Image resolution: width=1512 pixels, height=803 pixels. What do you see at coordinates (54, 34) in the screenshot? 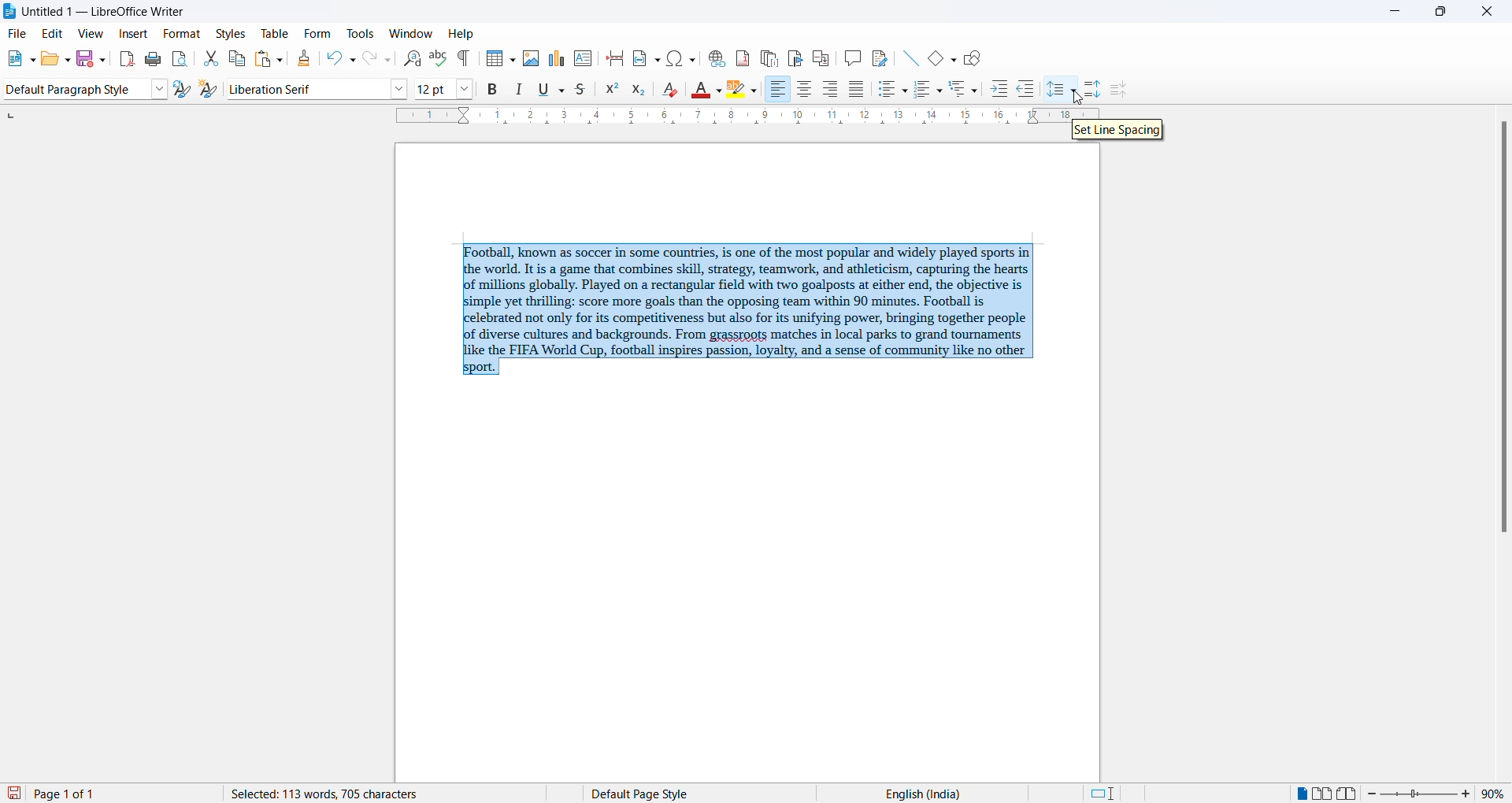
I see `edit` at bounding box center [54, 34].